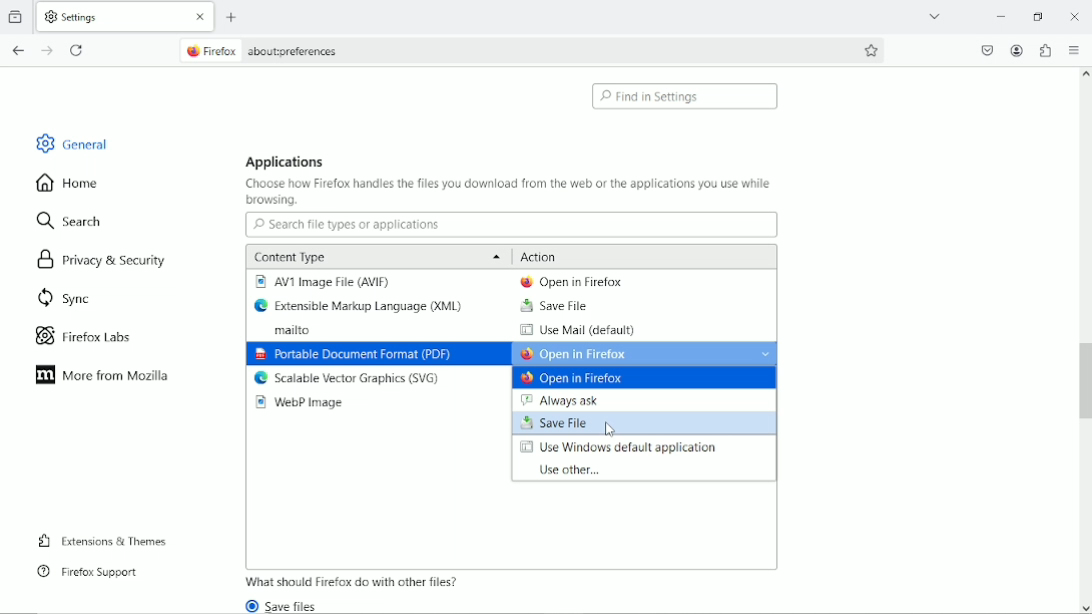 Image resolution: width=1092 pixels, height=614 pixels. What do you see at coordinates (645, 424) in the screenshot?
I see `Save File` at bounding box center [645, 424].